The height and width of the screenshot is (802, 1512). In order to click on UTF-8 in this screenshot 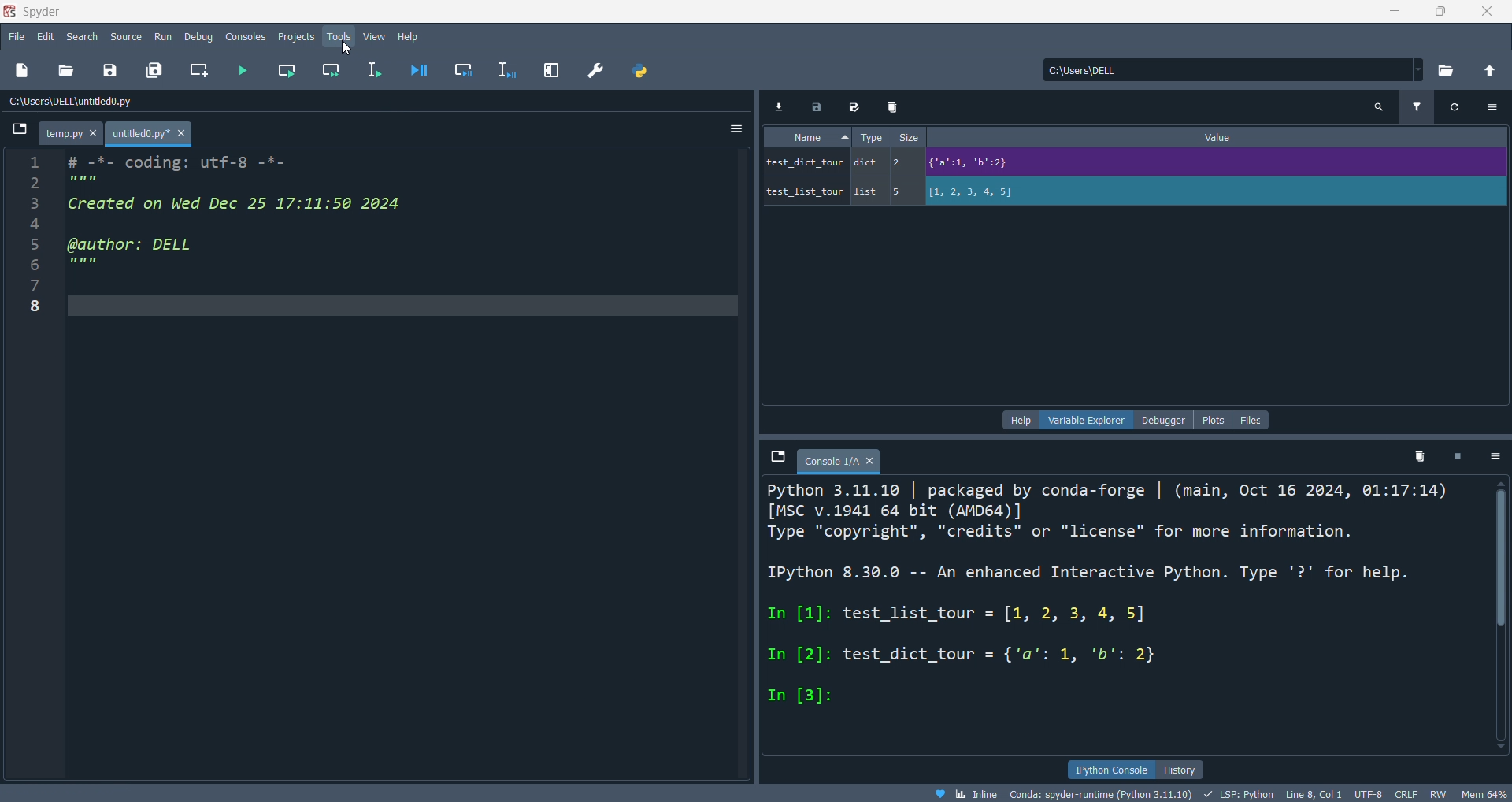, I will do `click(1371, 792)`.